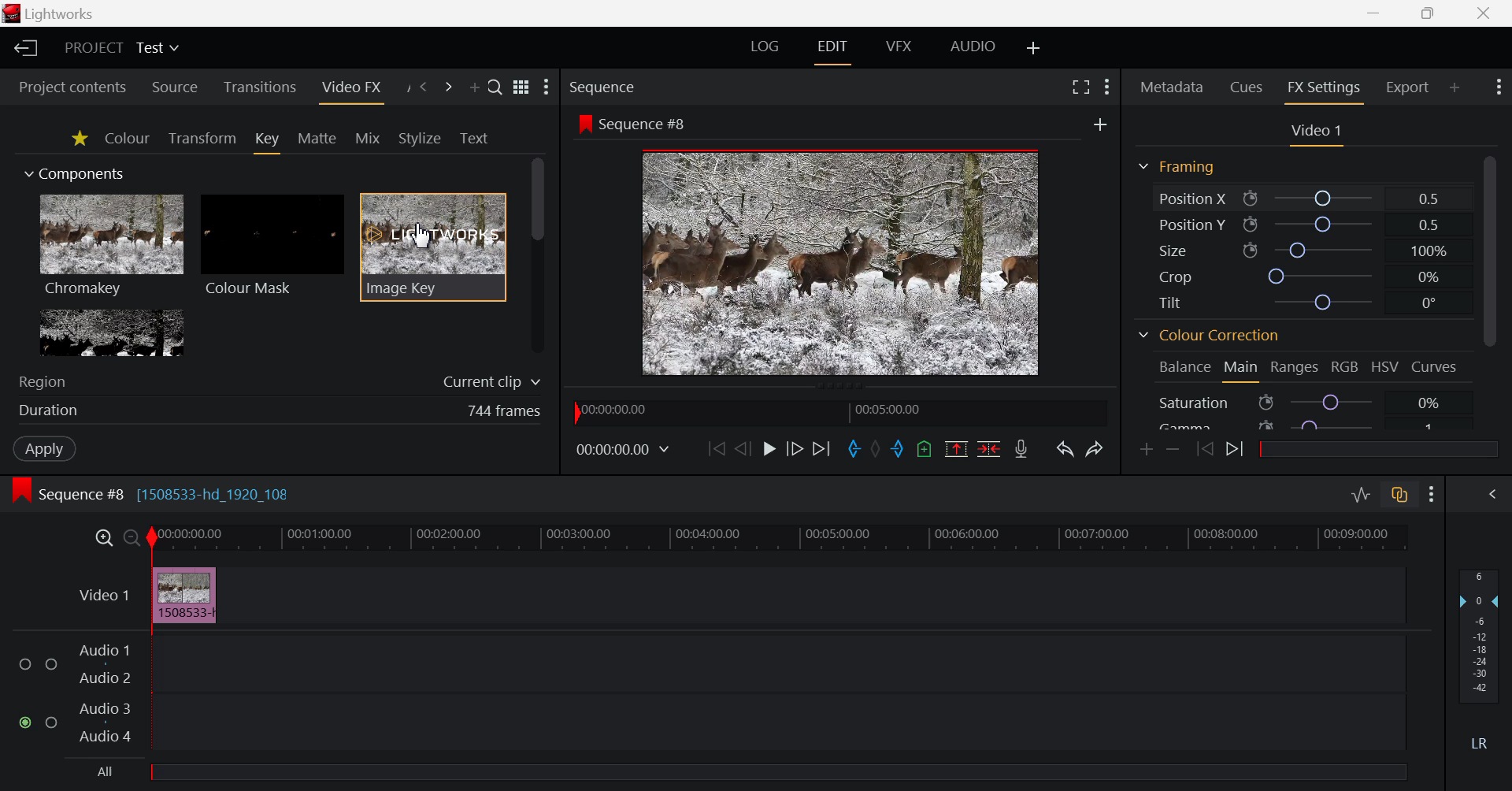 The width and height of the screenshot is (1512, 791). Describe the element at coordinates (1326, 89) in the screenshot. I see `FX Settings` at that location.